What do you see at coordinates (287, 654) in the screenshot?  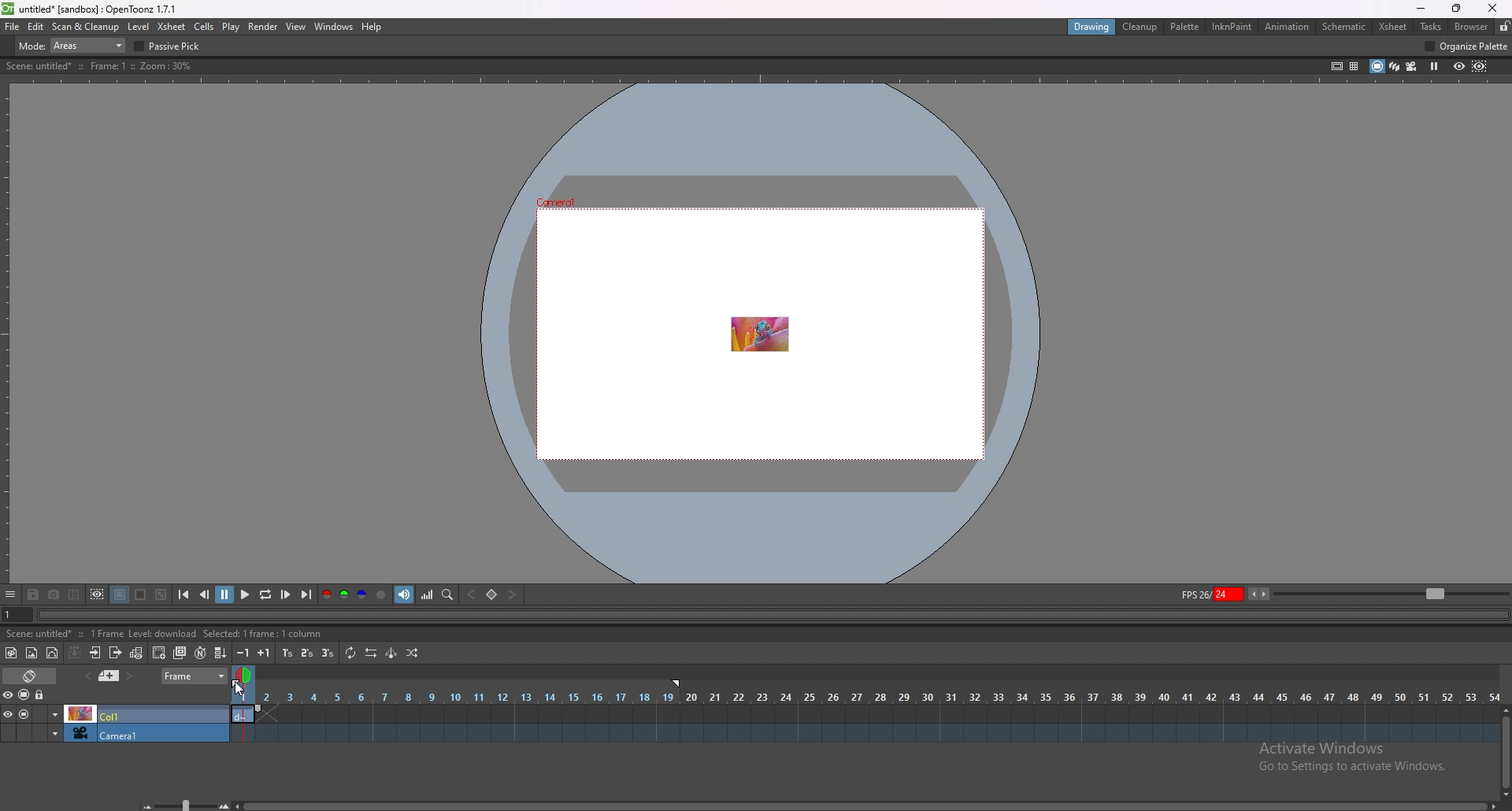 I see `reframe on 1s` at bounding box center [287, 654].